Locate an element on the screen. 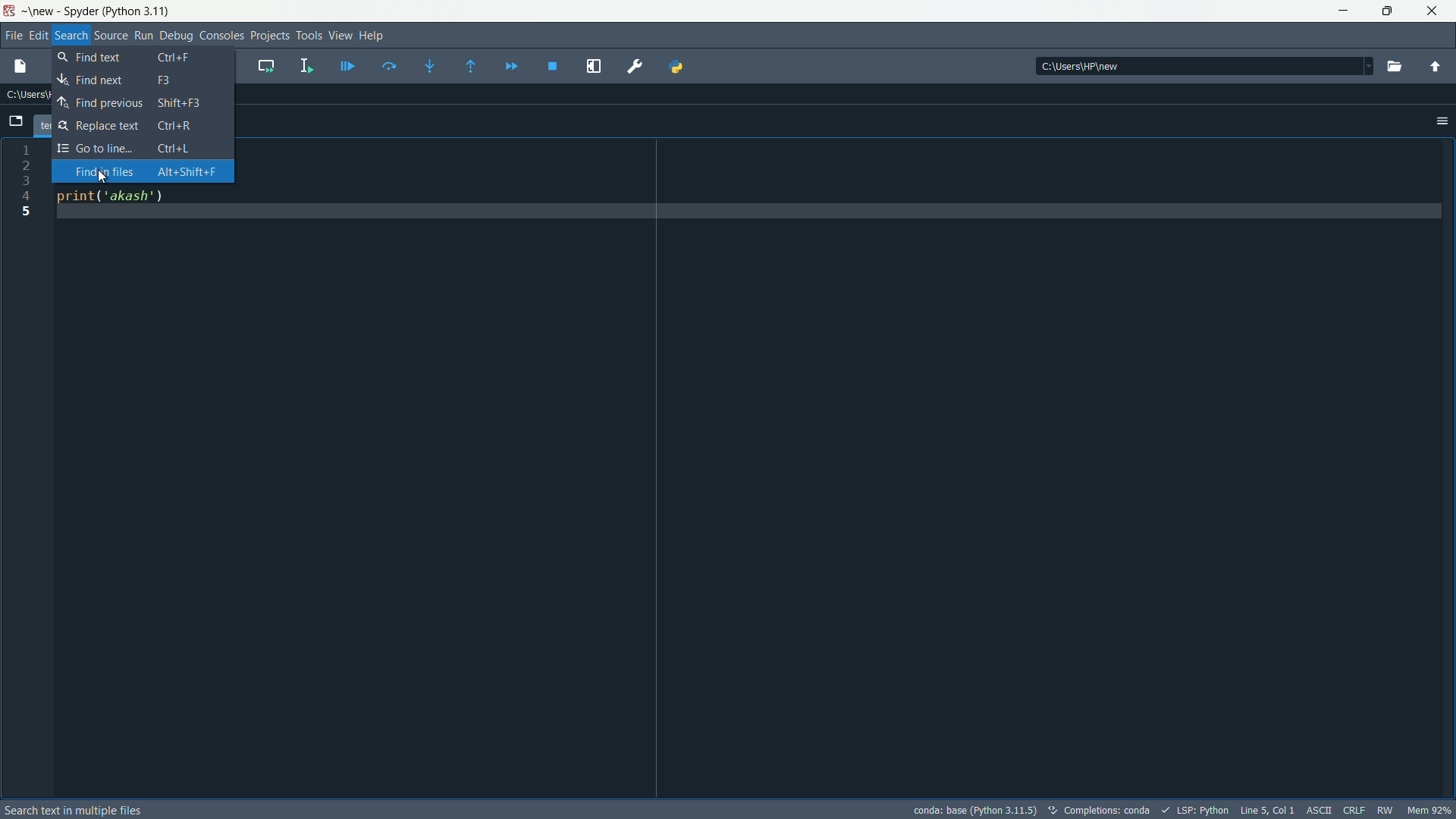 The width and height of the screenshot is (1456, 819). Project Menu is located at coordinates (267, 35).